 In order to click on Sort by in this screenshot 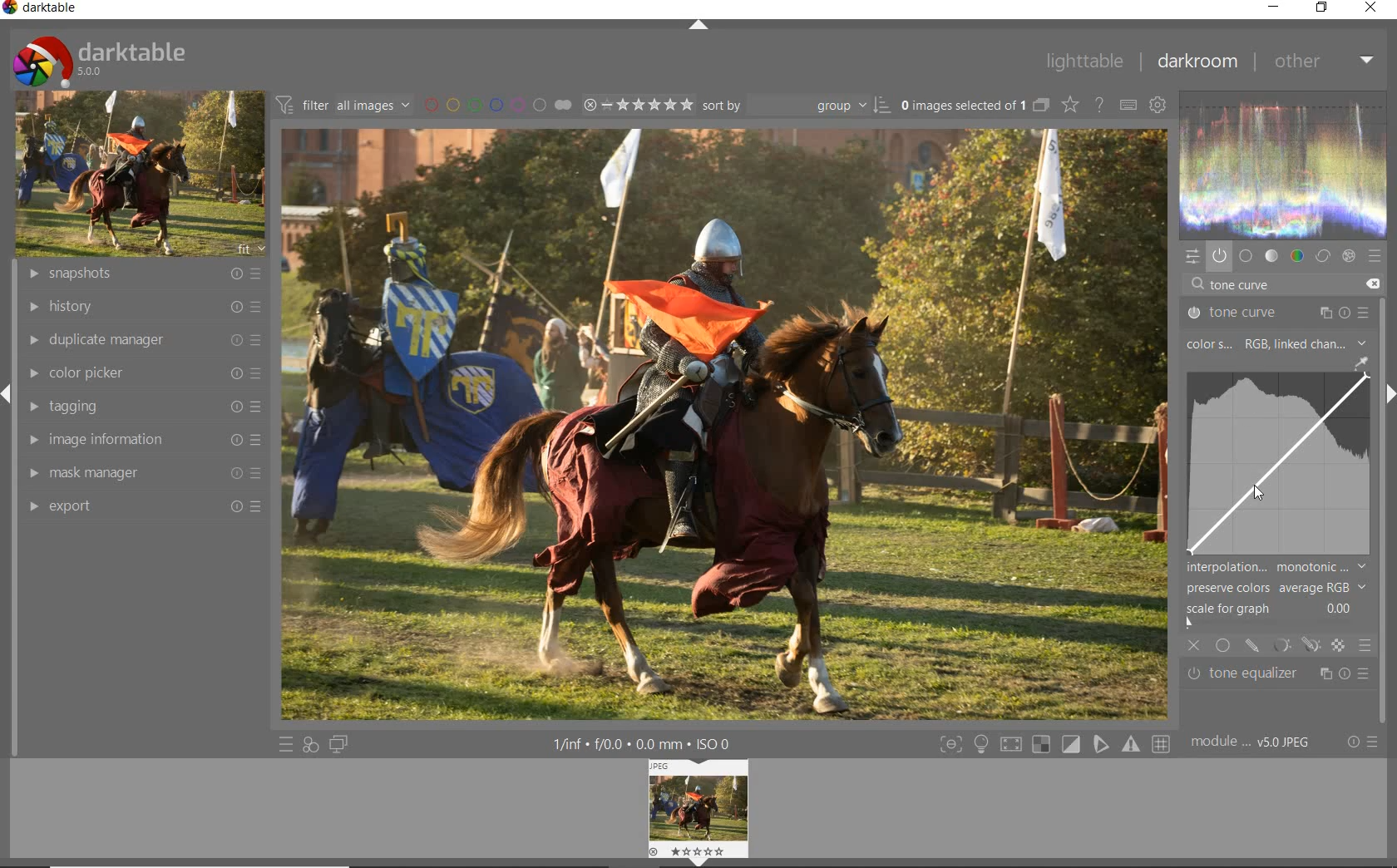, I will do `click(796, 105)`.